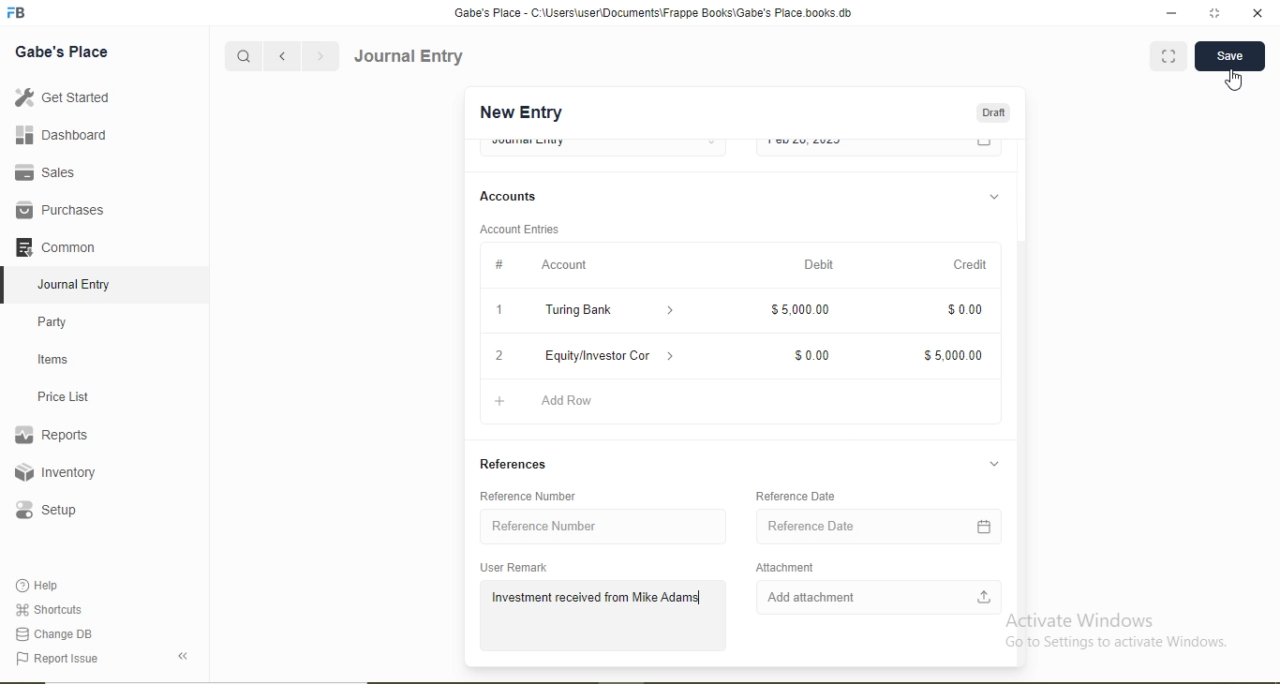  Describe the element at coordinates (54, 246) in the screenshot. I see `Common` at that location.